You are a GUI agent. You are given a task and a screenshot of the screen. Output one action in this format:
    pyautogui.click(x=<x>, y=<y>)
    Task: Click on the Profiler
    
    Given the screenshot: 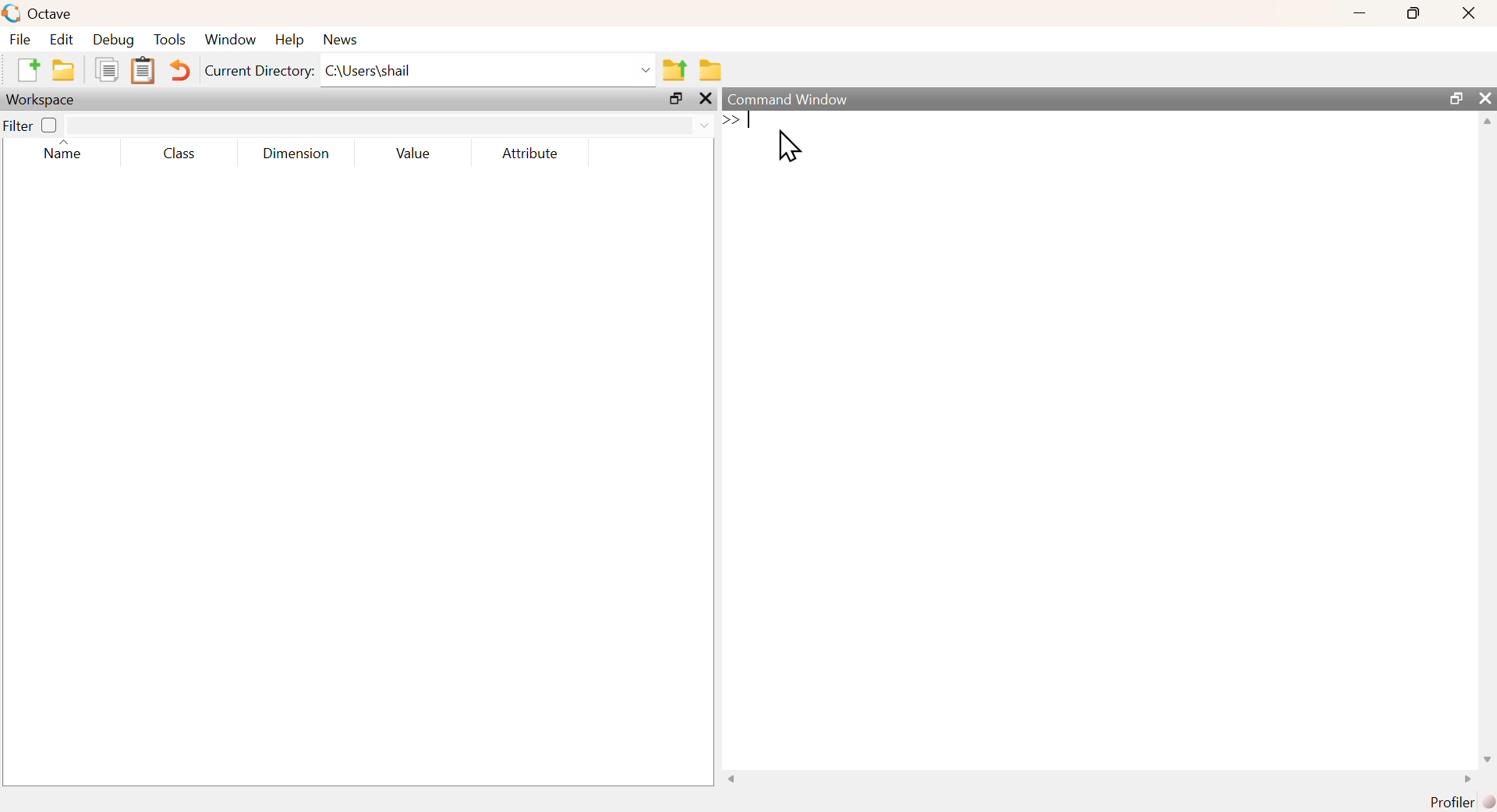 What is the action you would take?
    pyautogui.click(x=1449, y=802)
    